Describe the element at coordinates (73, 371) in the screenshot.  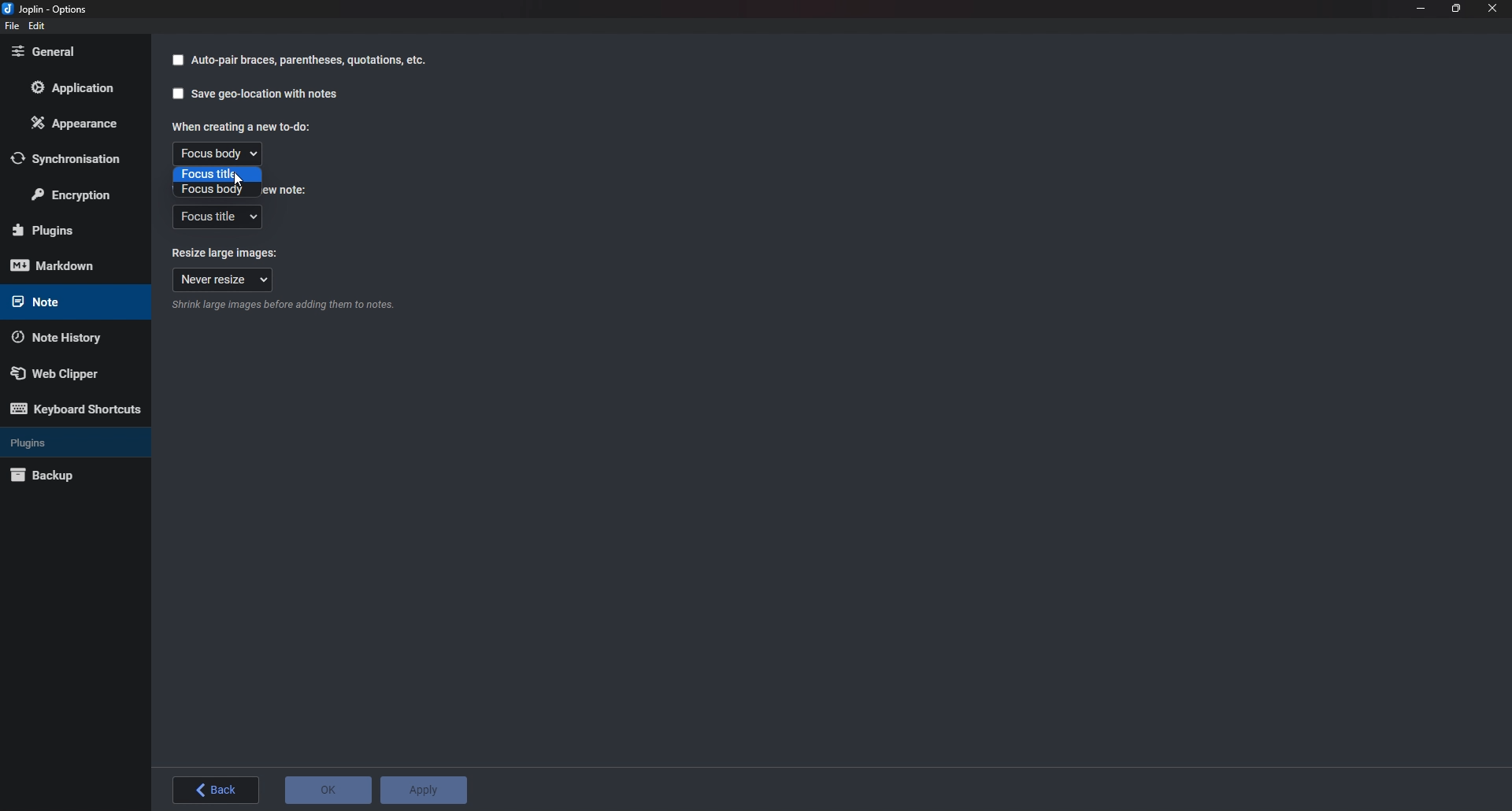
I see `Web Clipper` at that location.